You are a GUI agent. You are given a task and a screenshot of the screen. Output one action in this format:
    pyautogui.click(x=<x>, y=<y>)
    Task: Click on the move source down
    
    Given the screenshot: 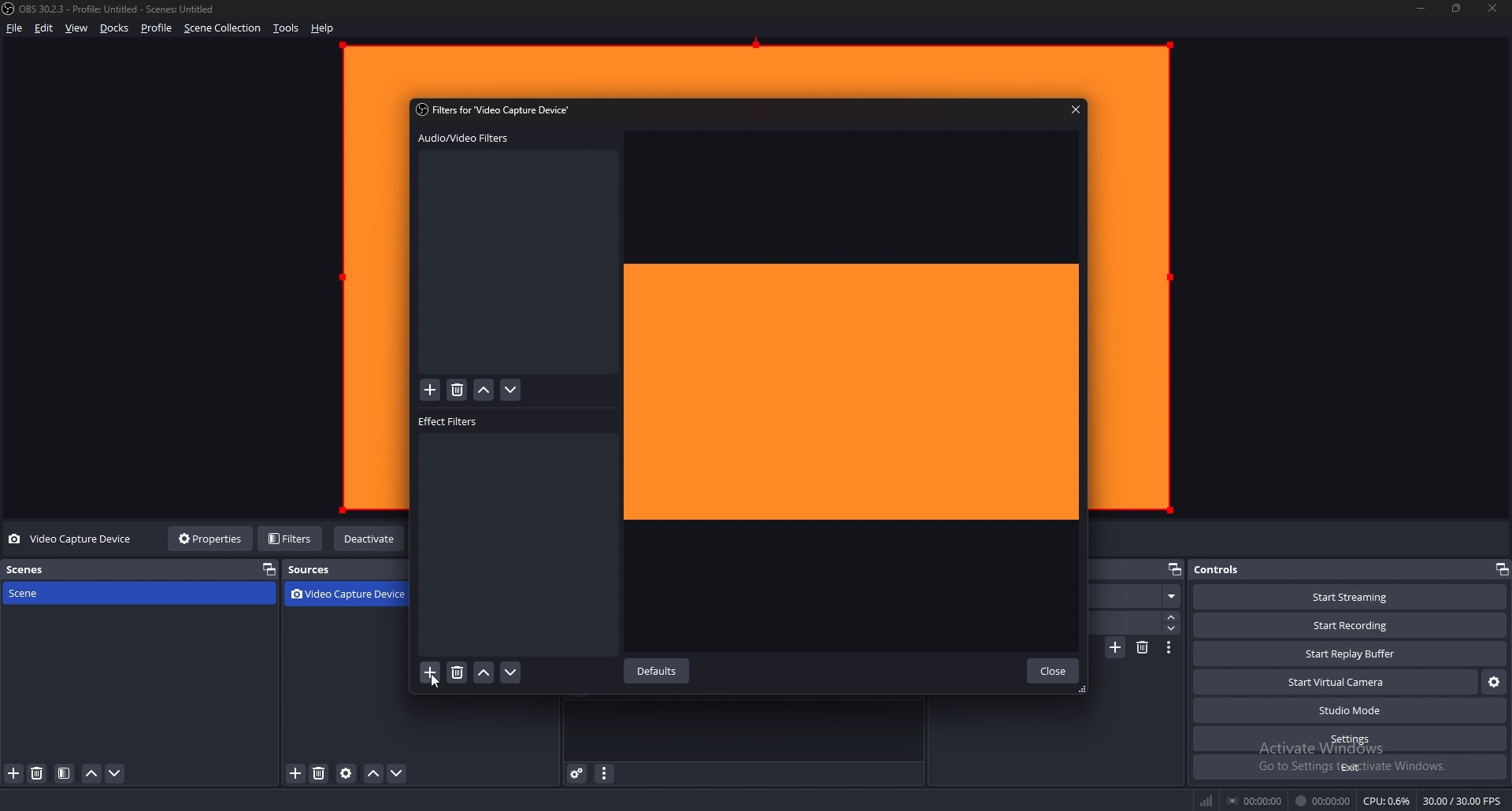 What is the action you would take?
    pyautogui.click(x=398, y=775)
    